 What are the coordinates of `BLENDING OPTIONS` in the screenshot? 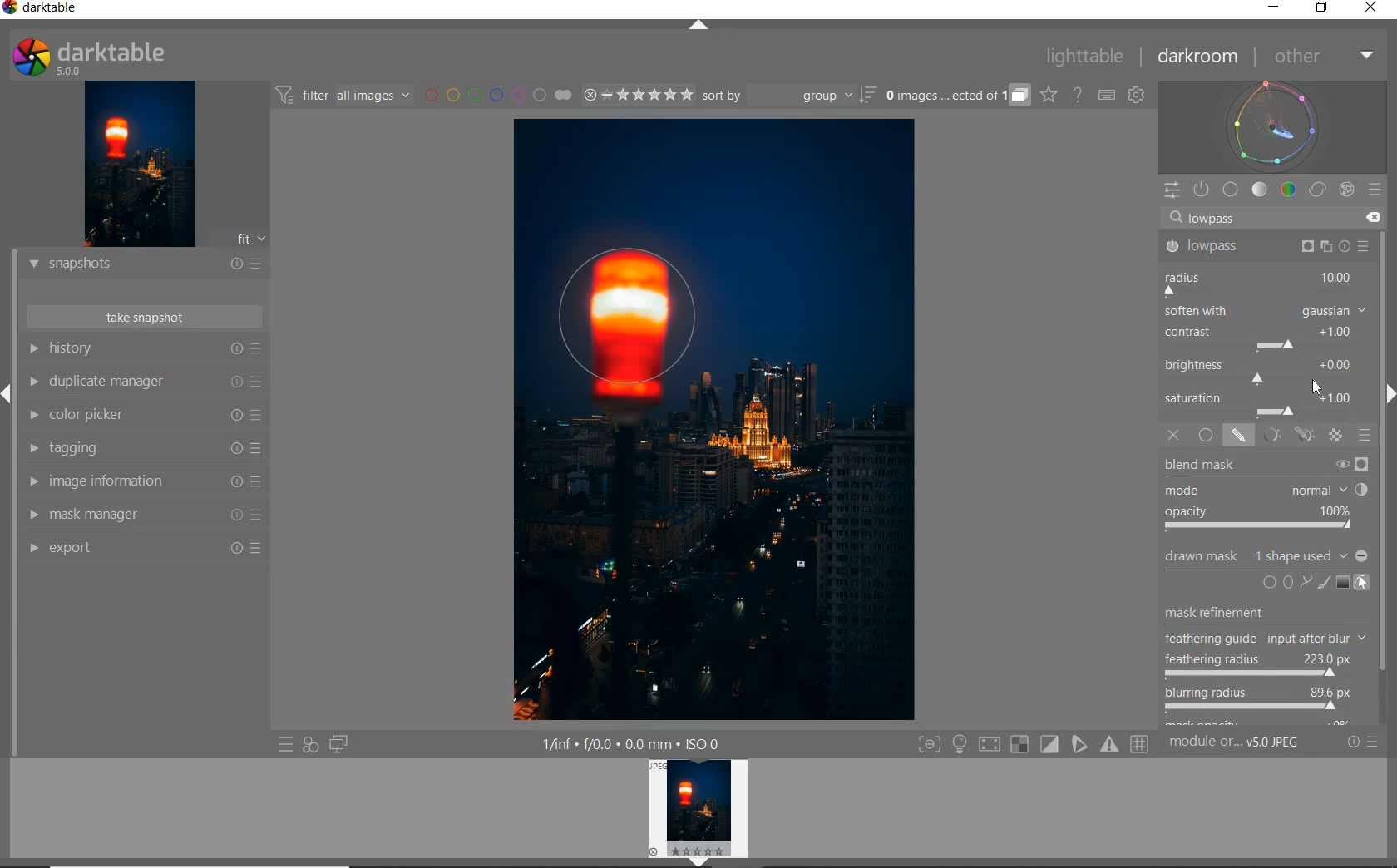 It's located at (1366, 436).